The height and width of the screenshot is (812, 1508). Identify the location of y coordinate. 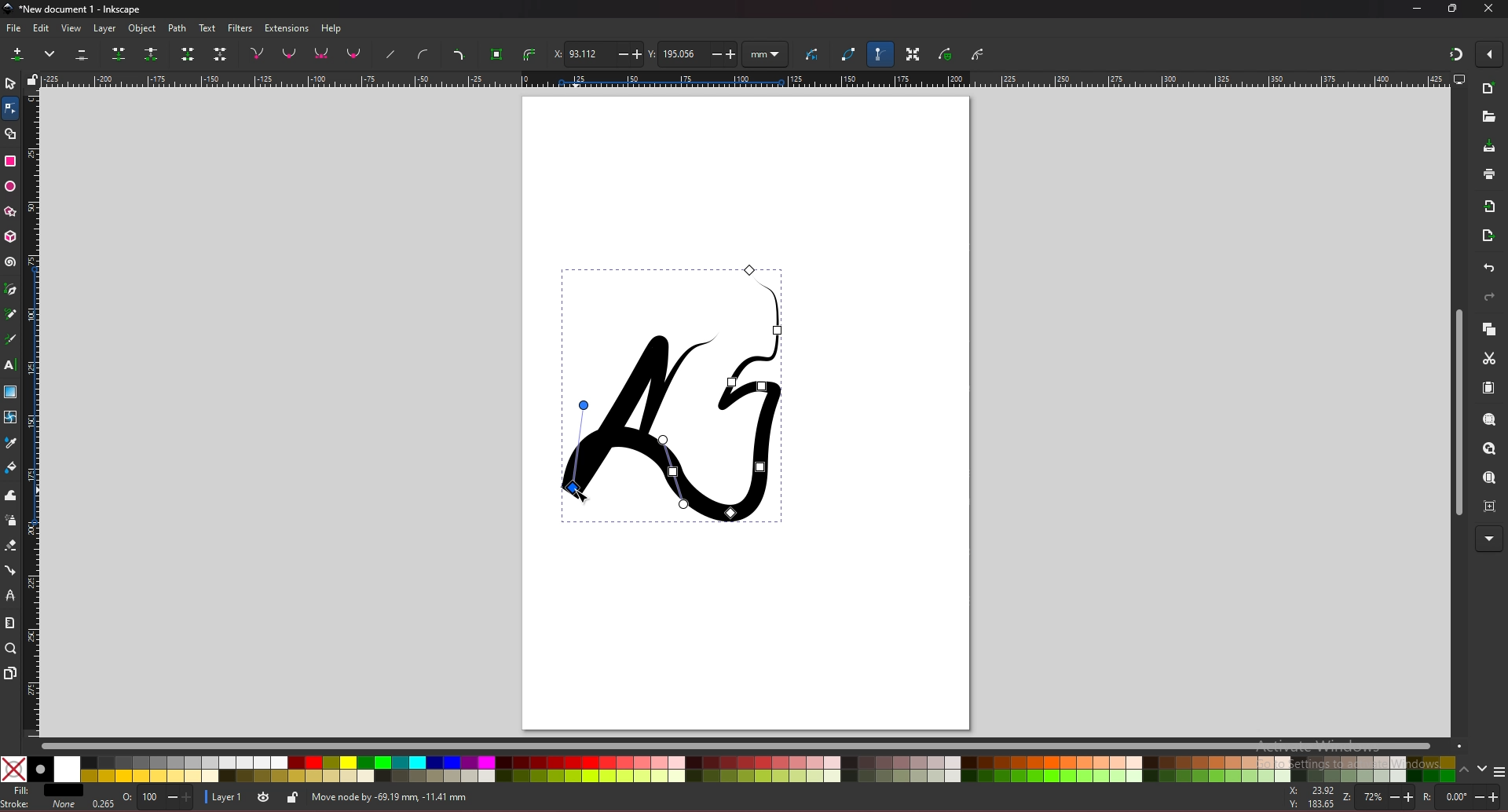
(693, 54).